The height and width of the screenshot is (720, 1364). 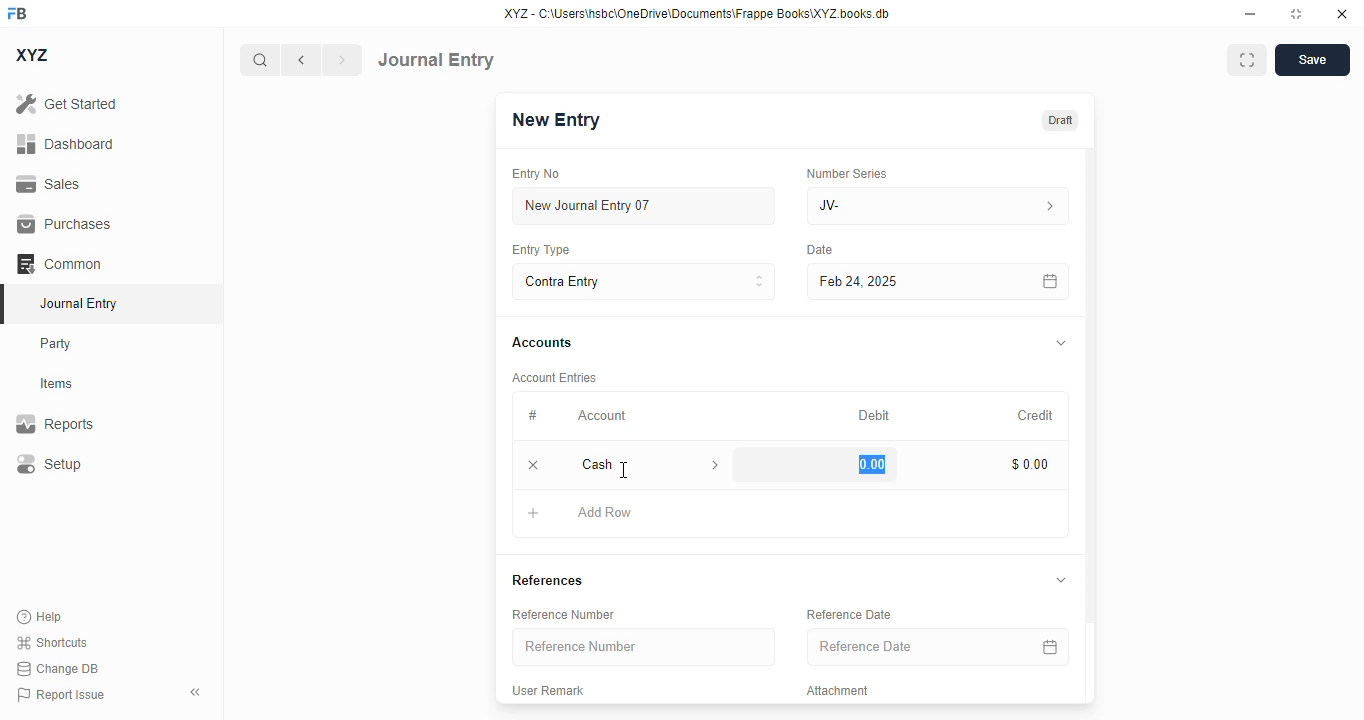 What do you see at coordinates (1296, 14) in the screenshot?
I see `toggle maximize` at bounding box center [1296, 14].